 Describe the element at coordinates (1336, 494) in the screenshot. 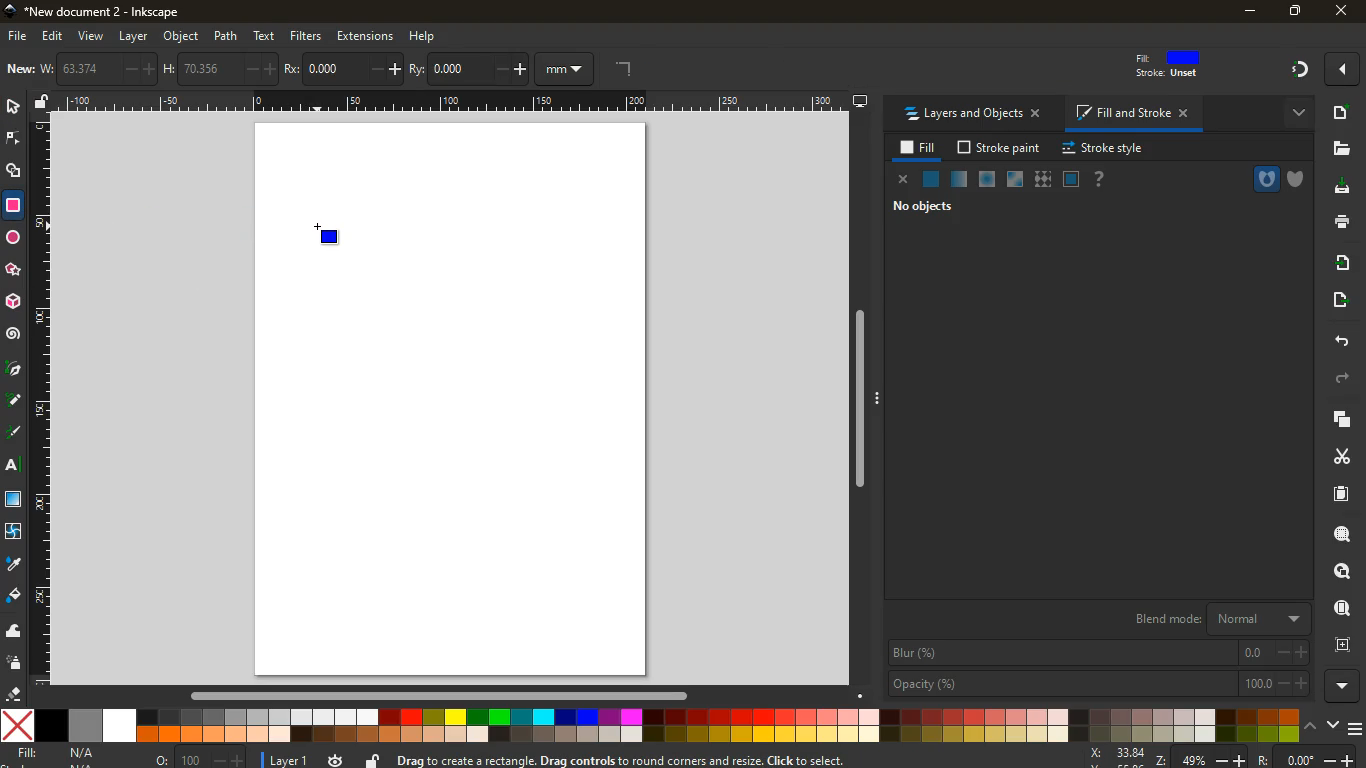

I see `paper` at that location.